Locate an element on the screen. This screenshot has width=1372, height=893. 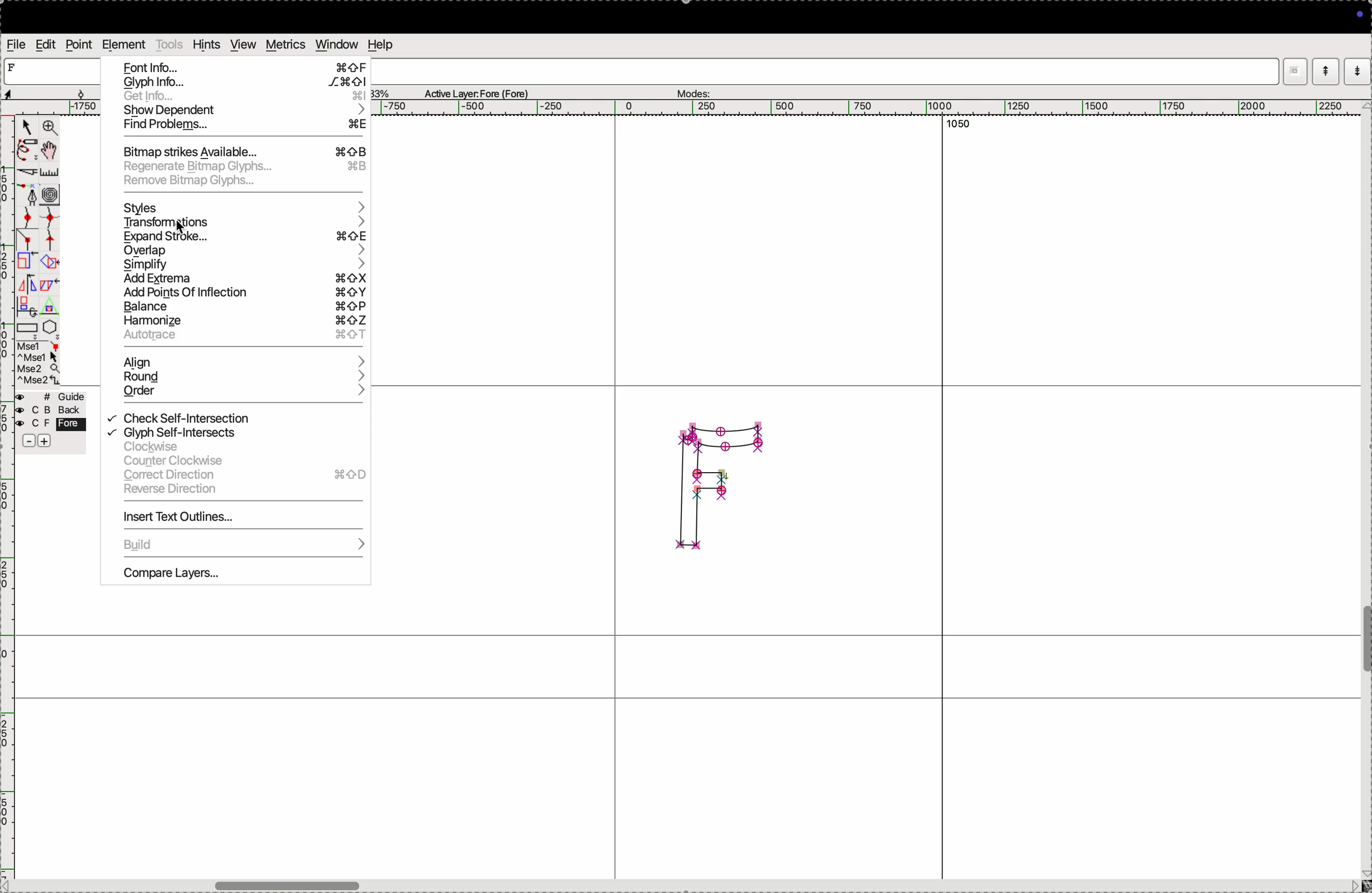
insert text out lines is located at coordinates (239, 519).